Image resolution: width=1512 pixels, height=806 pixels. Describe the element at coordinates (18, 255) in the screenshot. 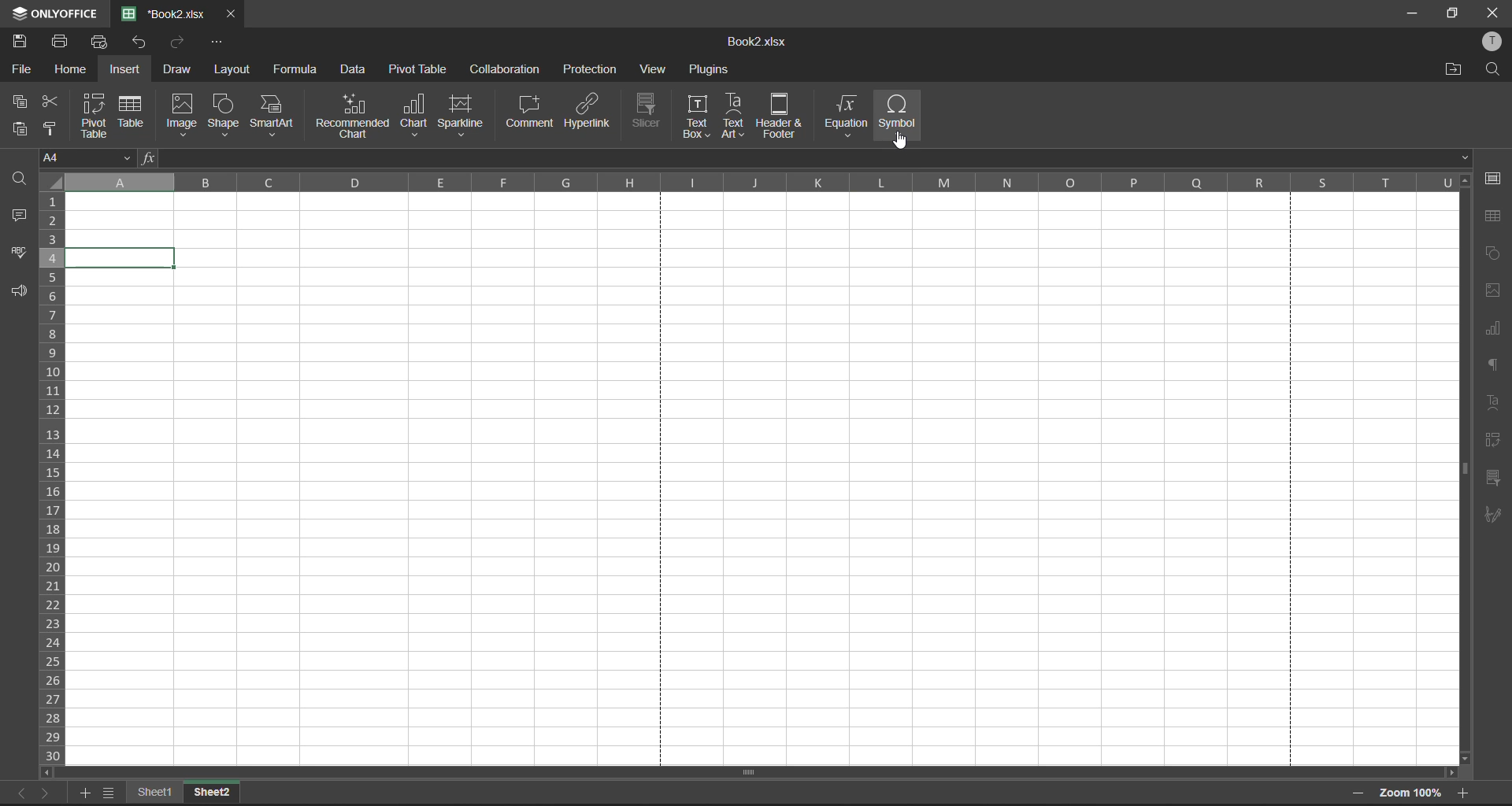

I see `spellcheck` at that location.